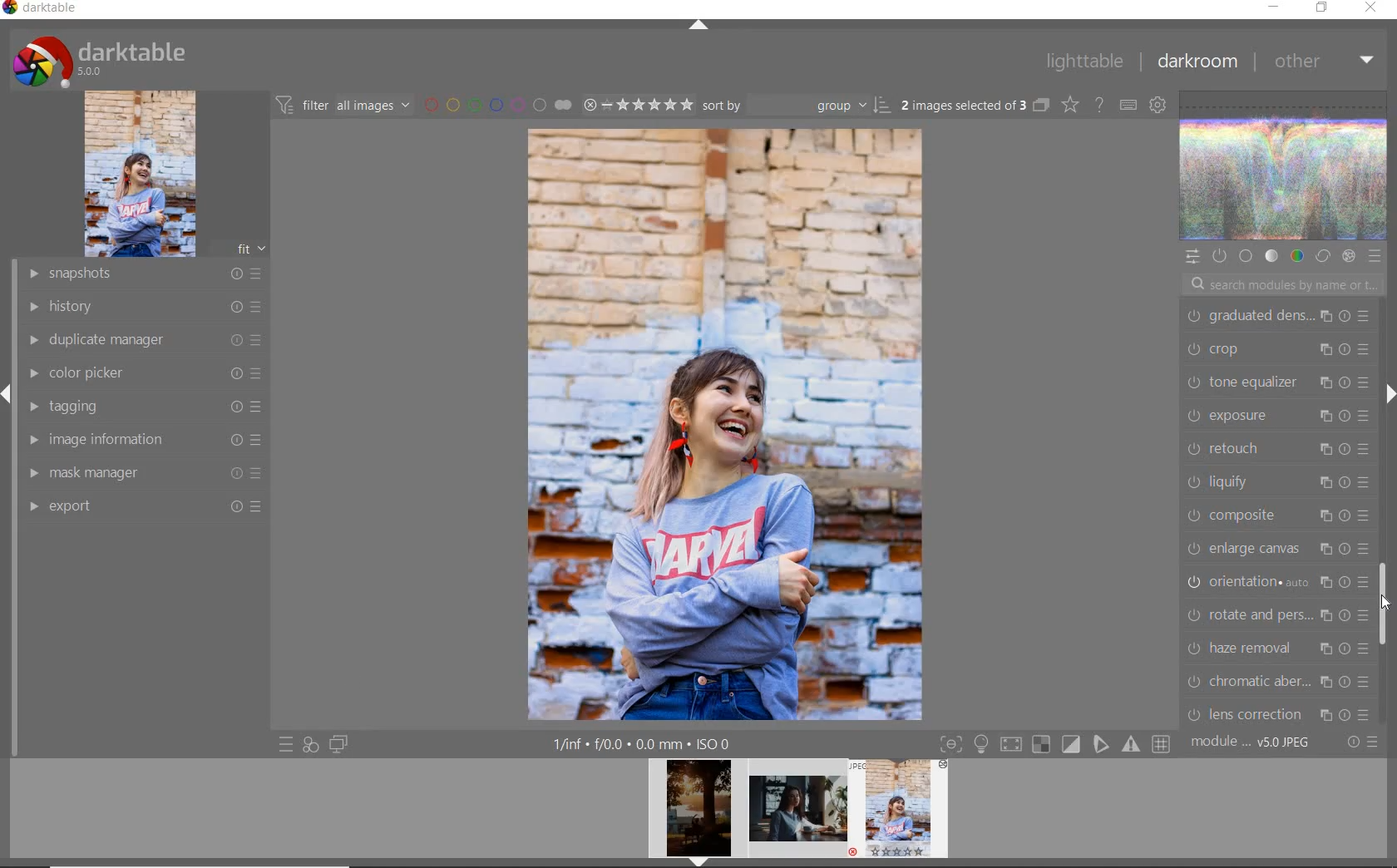  I want to click on frt, so click(250, 246).